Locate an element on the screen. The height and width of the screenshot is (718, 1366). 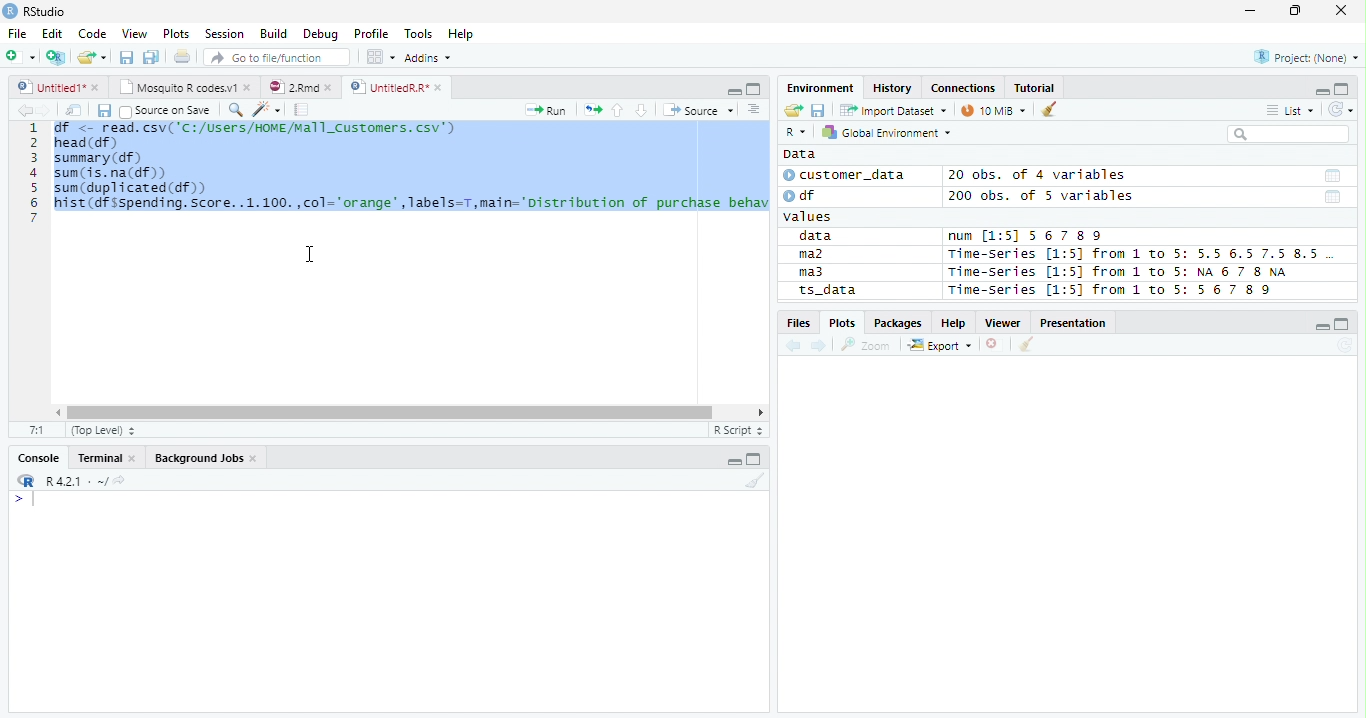
Close is located at coordinates (1340, 11).